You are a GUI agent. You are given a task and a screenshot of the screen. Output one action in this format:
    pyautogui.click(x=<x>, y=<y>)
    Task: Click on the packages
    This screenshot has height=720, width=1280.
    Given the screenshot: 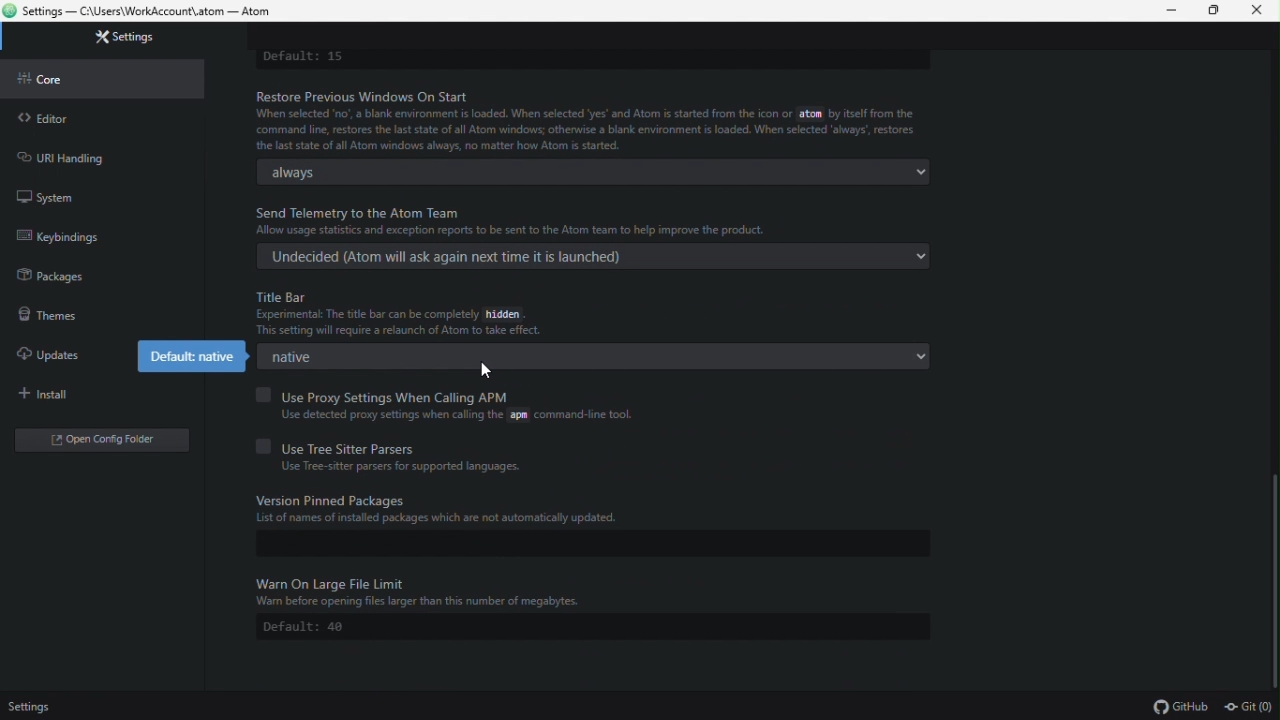 What is the action you would take?
    pyautogui.click(x=109, y=275)
    